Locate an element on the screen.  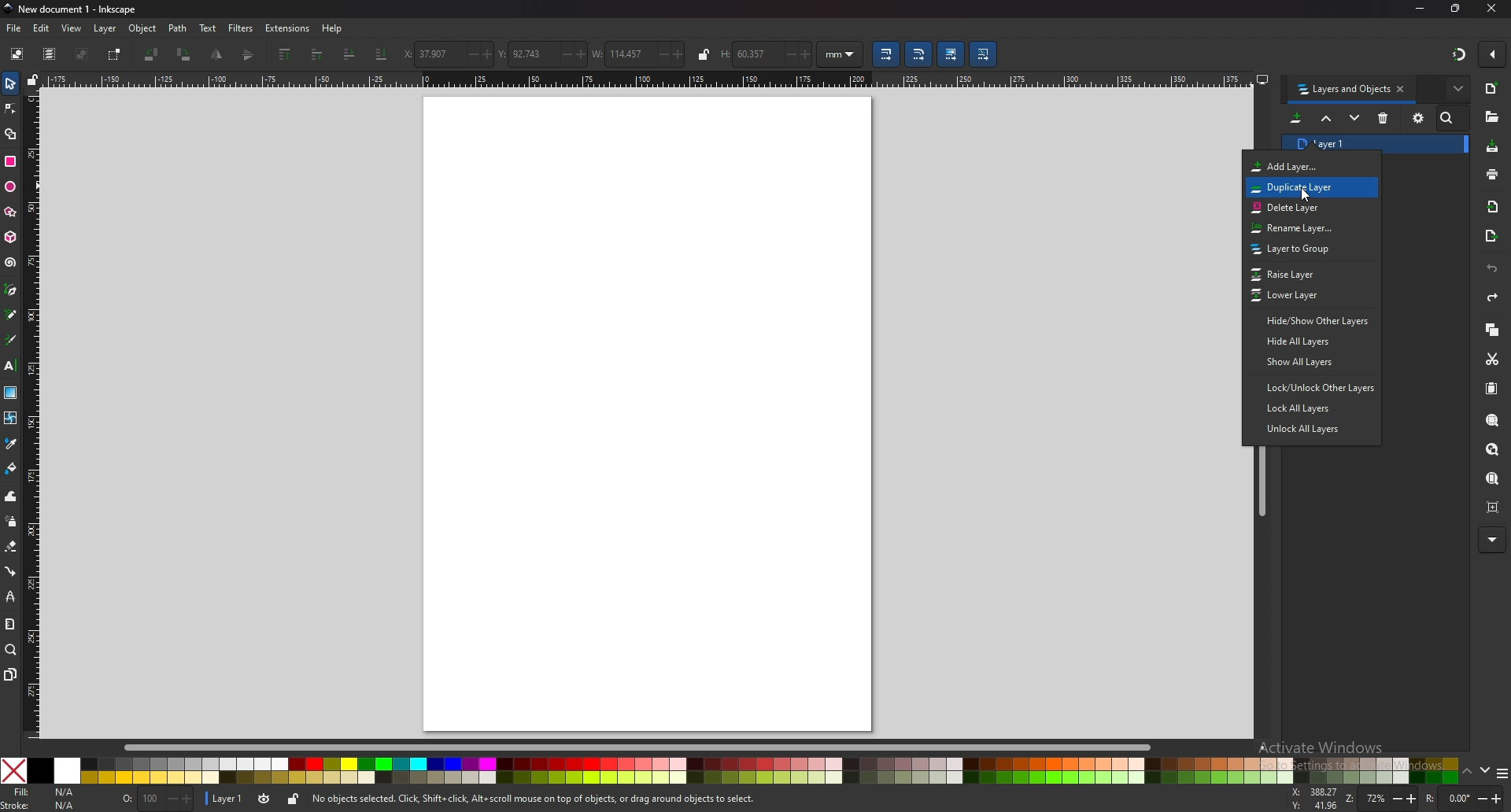
paste is located at coordinates (1492, 388).